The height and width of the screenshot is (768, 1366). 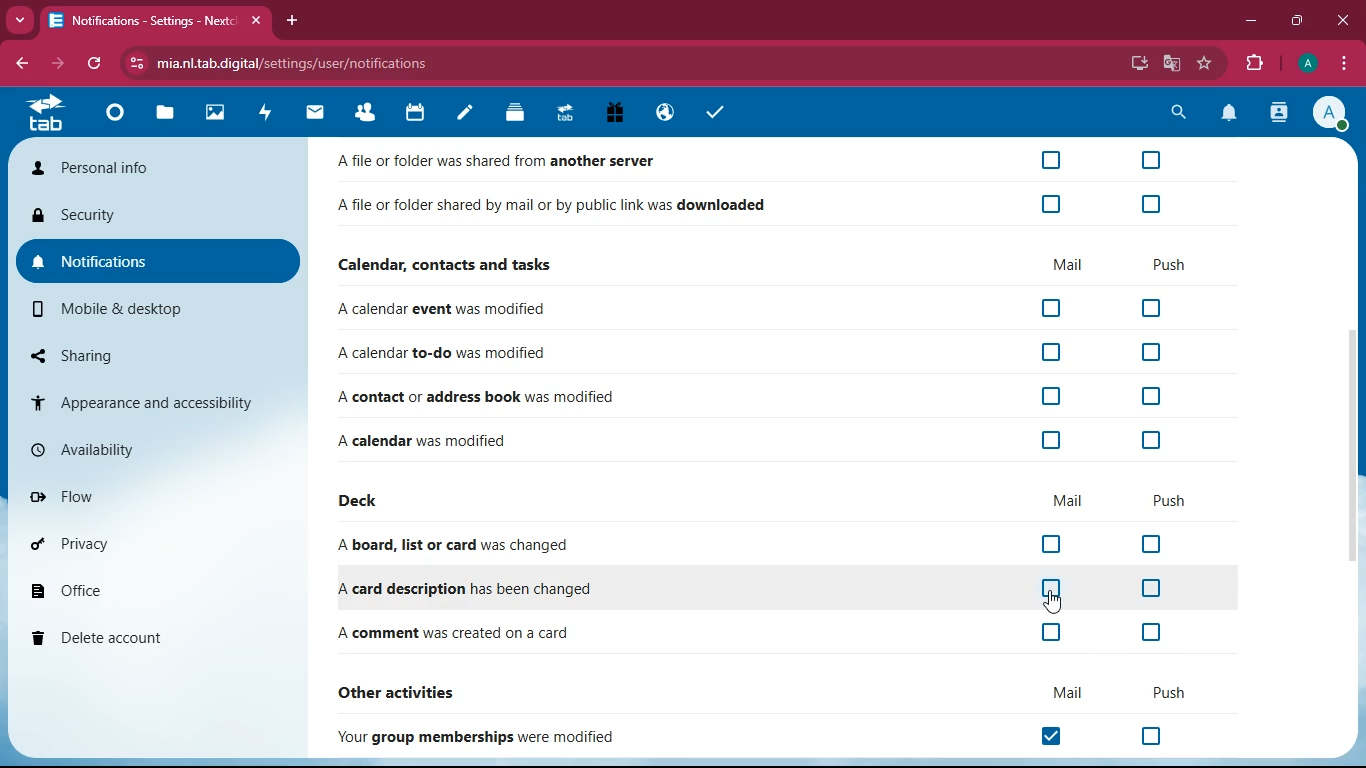 I want to click on A board, list or card was changed, so click(x=460, y=546).